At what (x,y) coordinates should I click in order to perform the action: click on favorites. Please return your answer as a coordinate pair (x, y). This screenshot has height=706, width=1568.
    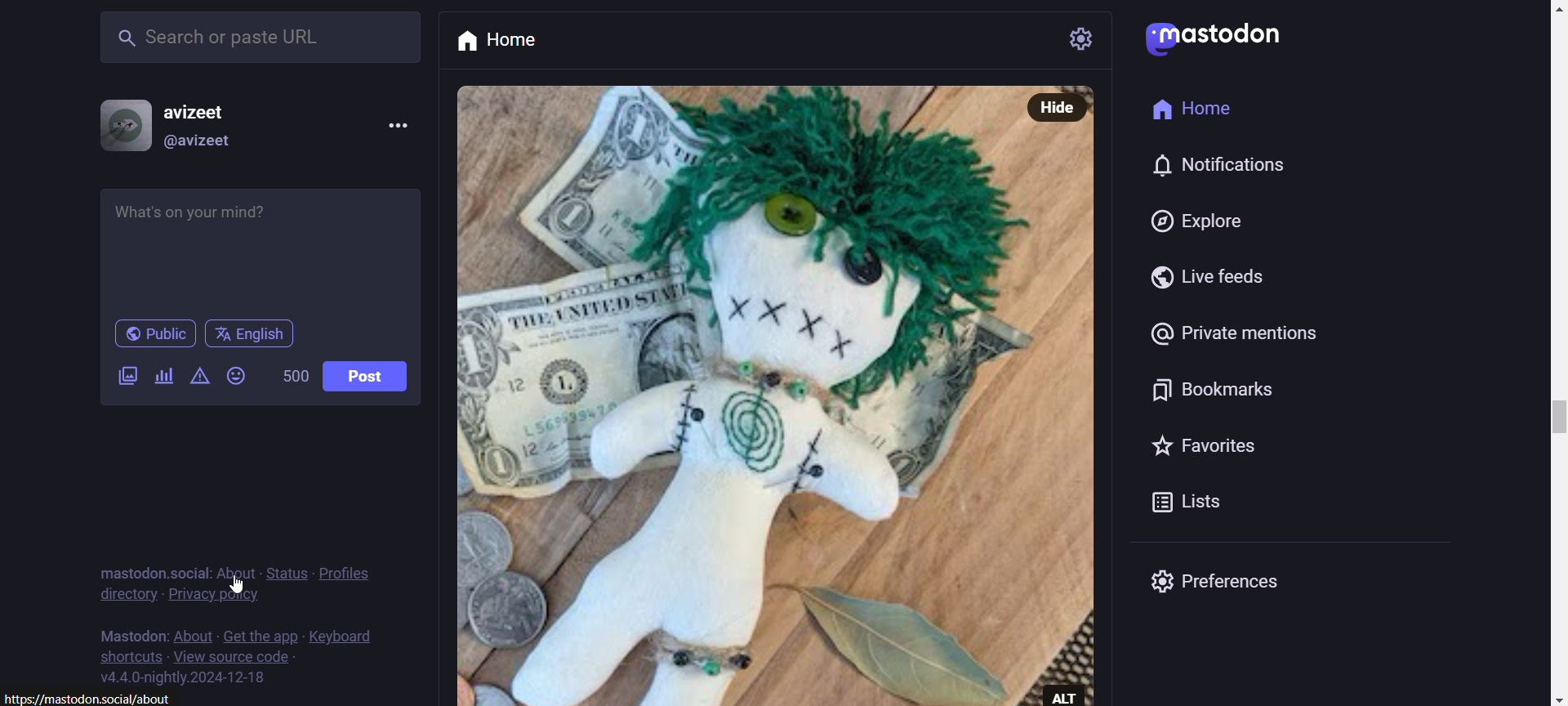
    Looking at the image, I should click on (1208, 446).